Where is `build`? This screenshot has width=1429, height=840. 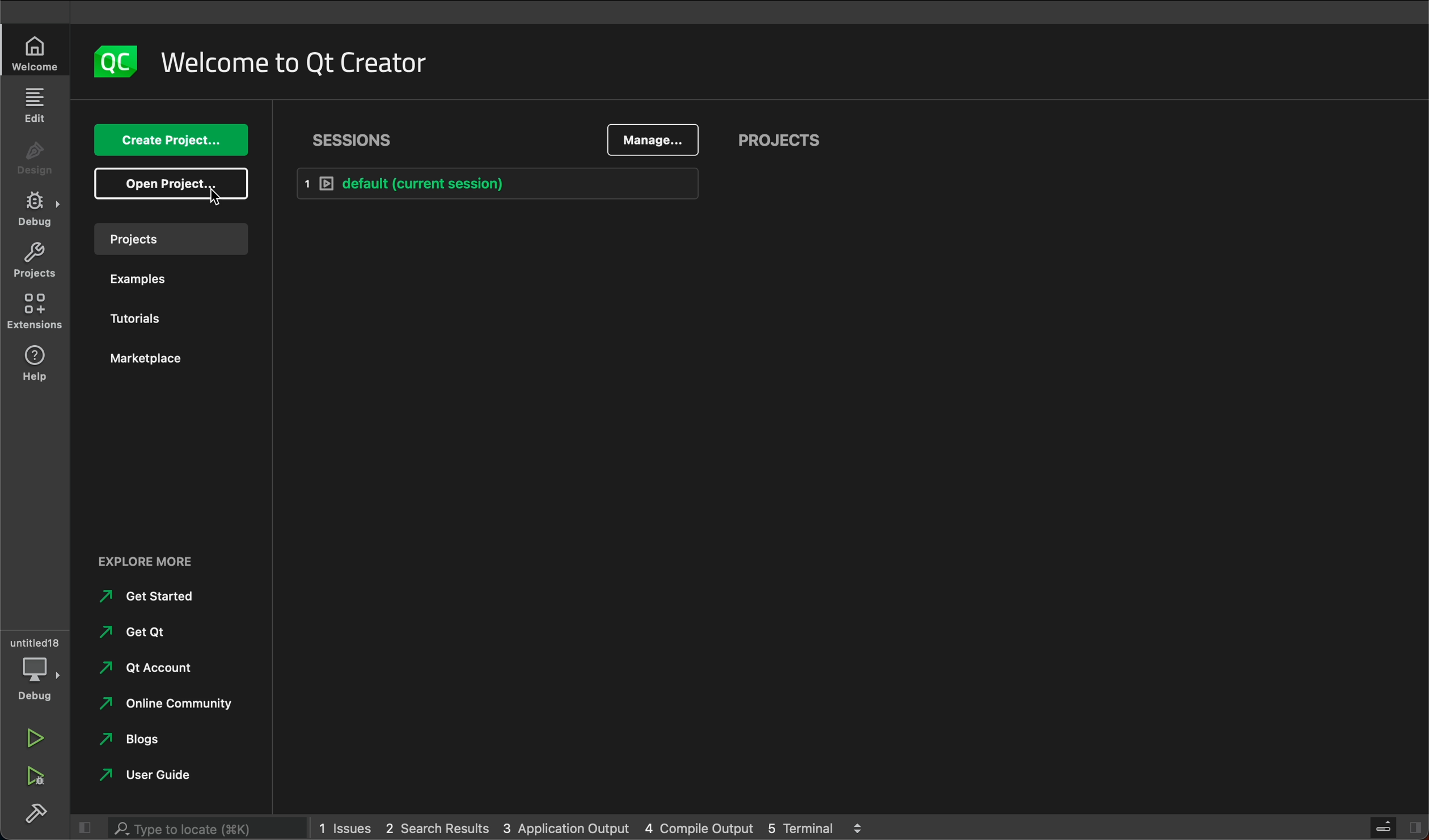 build is located at coordinates (40, 816).